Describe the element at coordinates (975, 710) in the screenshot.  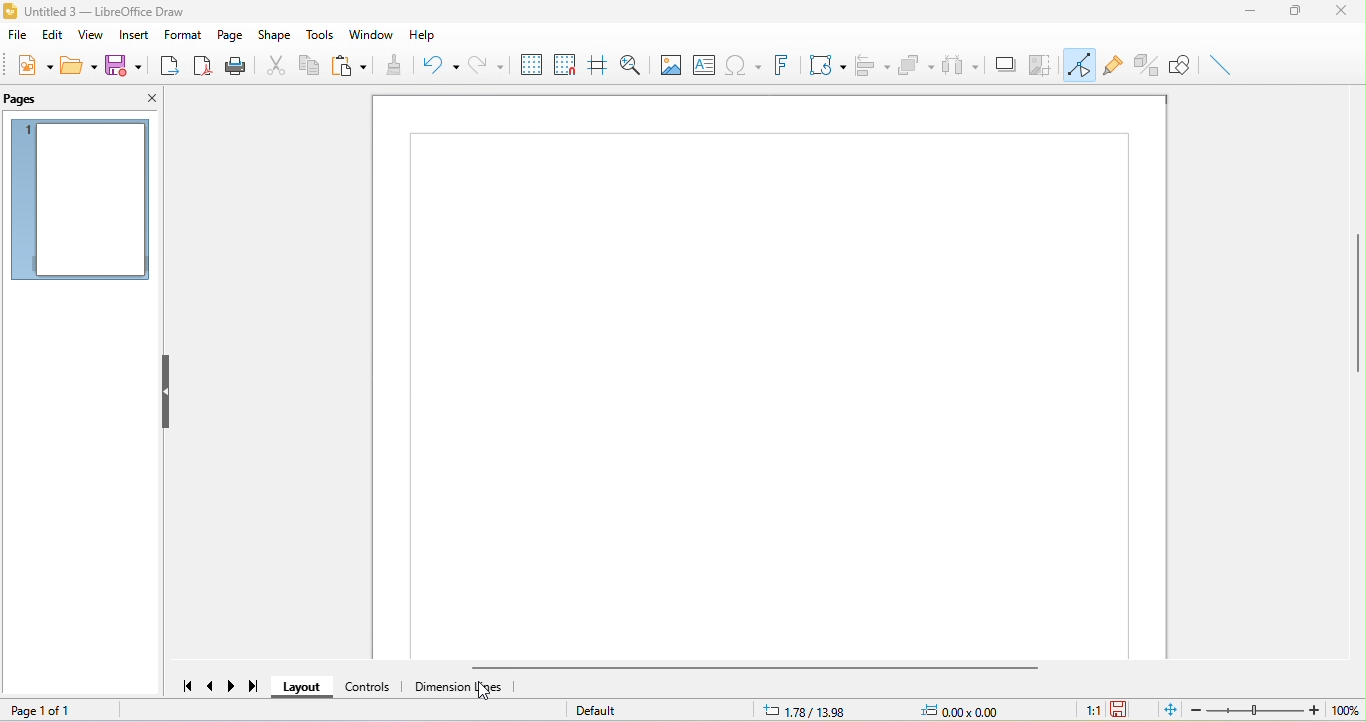
I see `0.00x0.00` at that location.